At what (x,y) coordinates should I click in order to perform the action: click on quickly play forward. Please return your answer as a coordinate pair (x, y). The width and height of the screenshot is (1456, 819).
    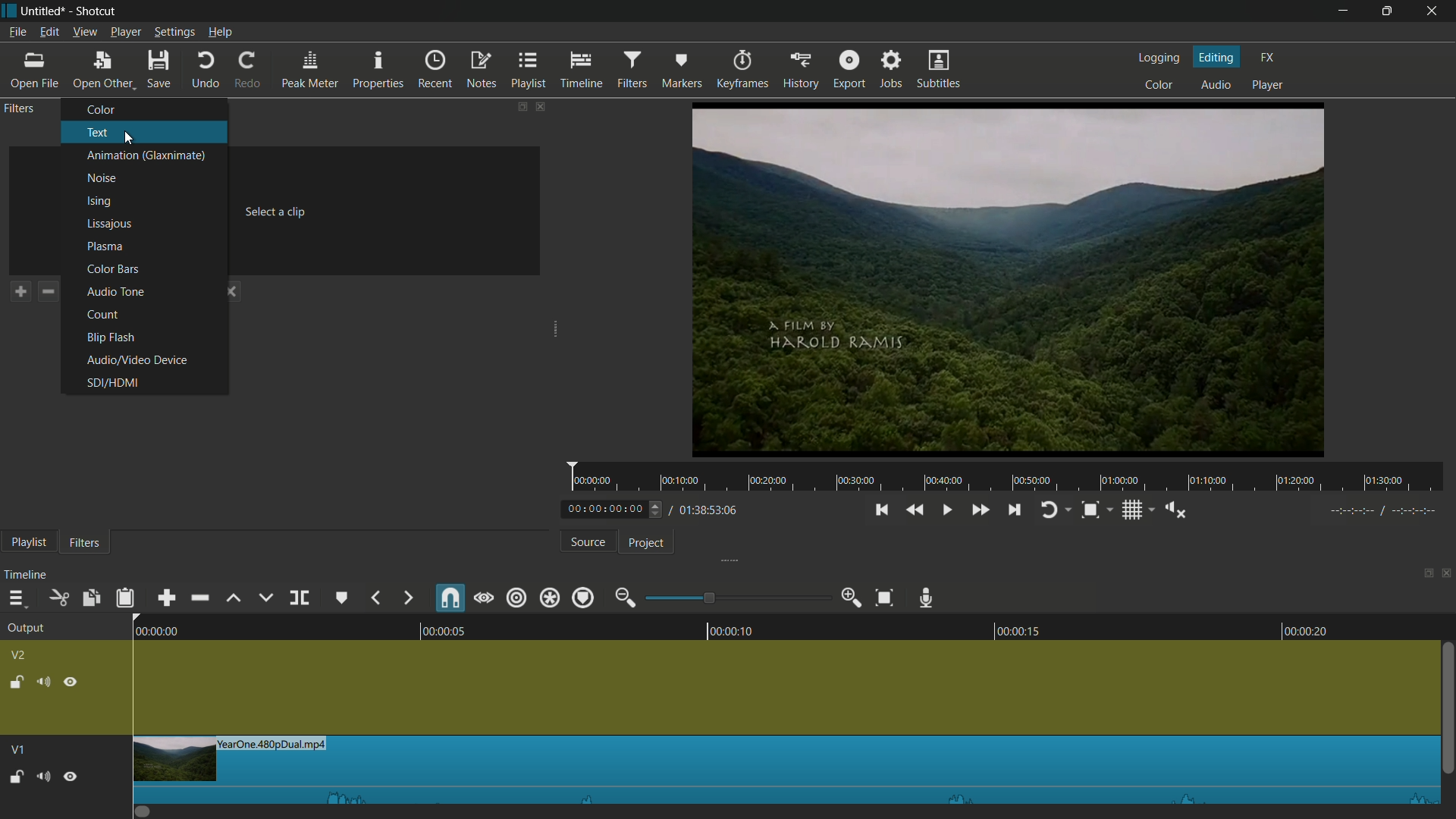
    Looking at the image, I should click on (977, 509).